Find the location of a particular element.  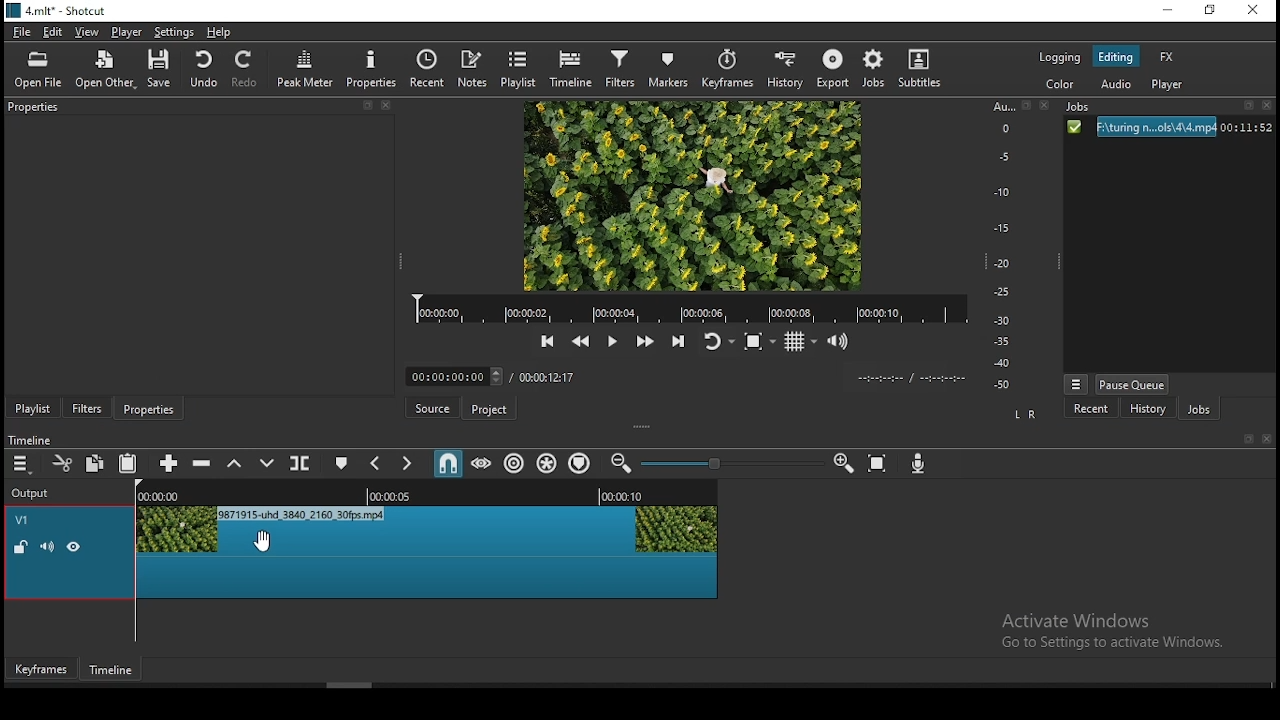

help is located at coordinates (222, 31).